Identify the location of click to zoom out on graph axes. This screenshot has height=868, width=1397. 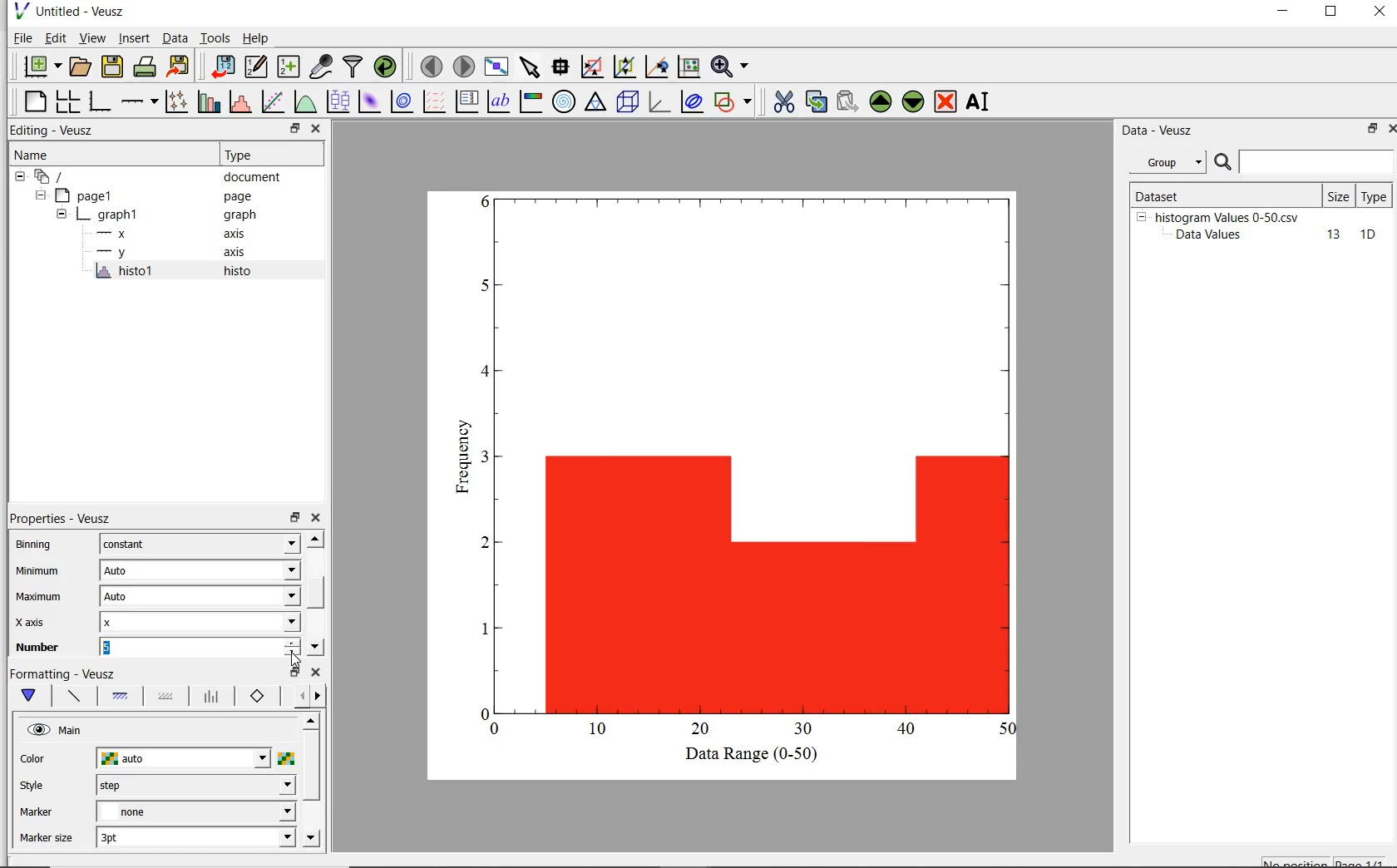
(656, 67).